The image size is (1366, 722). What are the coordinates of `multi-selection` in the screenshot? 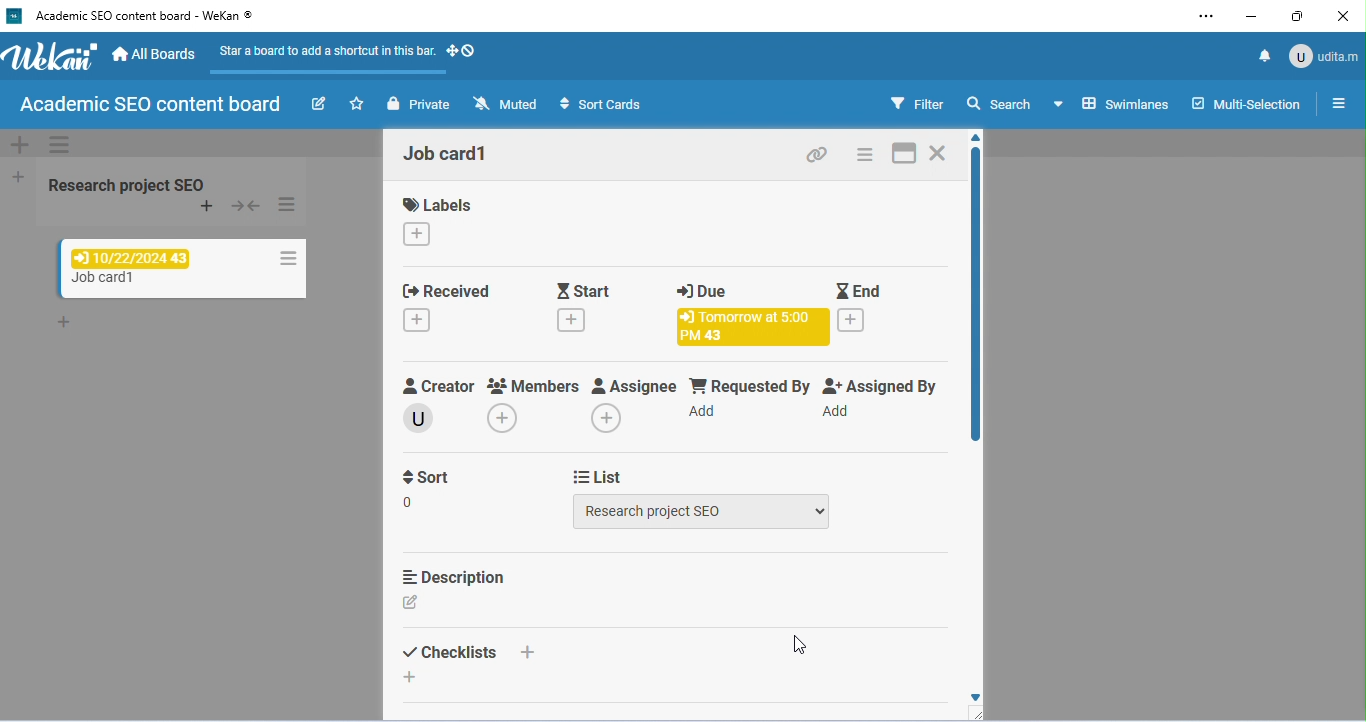 It's located at (1244, 104).